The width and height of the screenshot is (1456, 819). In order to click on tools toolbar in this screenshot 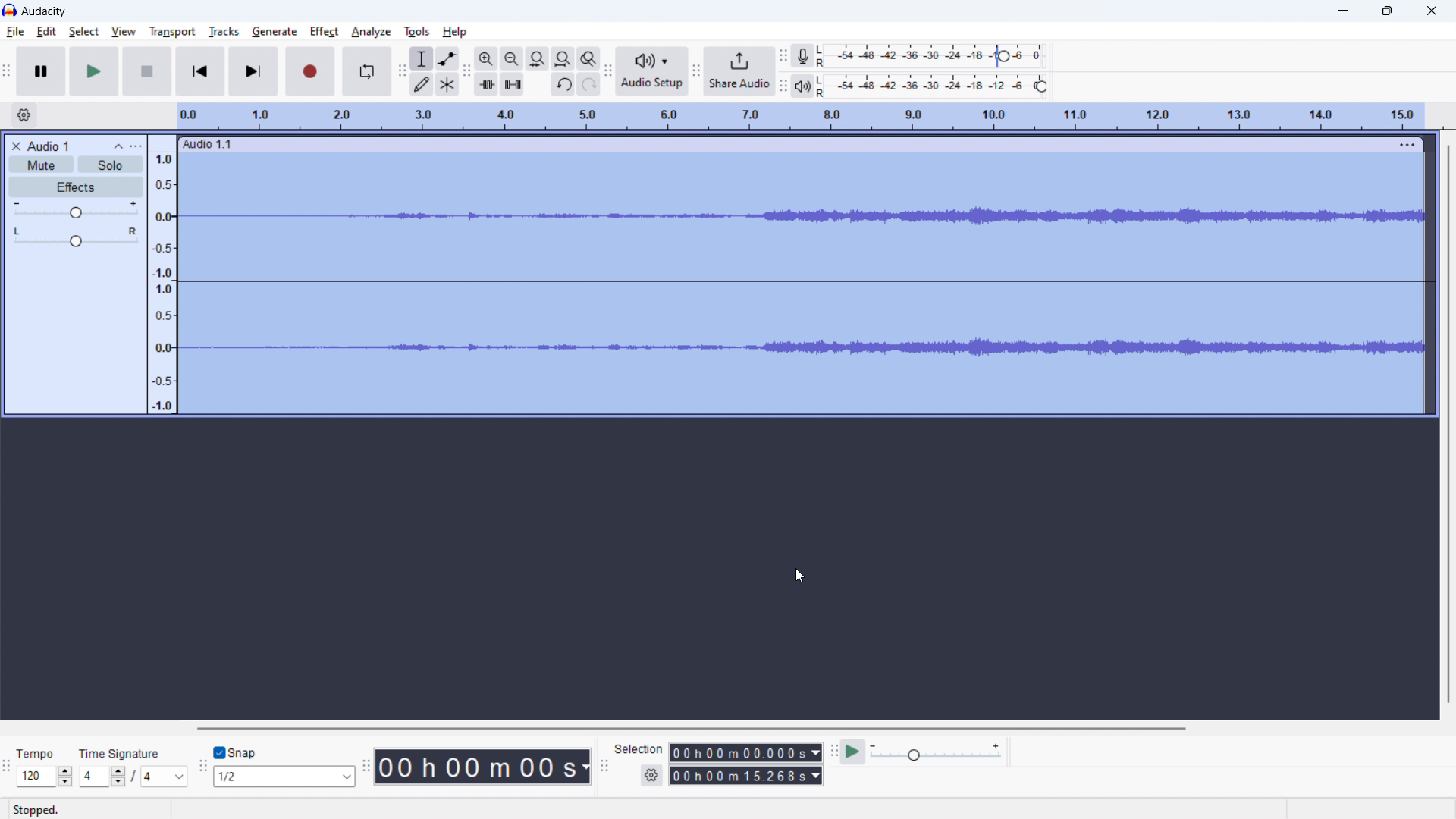, I will do `click(402, 71)`.